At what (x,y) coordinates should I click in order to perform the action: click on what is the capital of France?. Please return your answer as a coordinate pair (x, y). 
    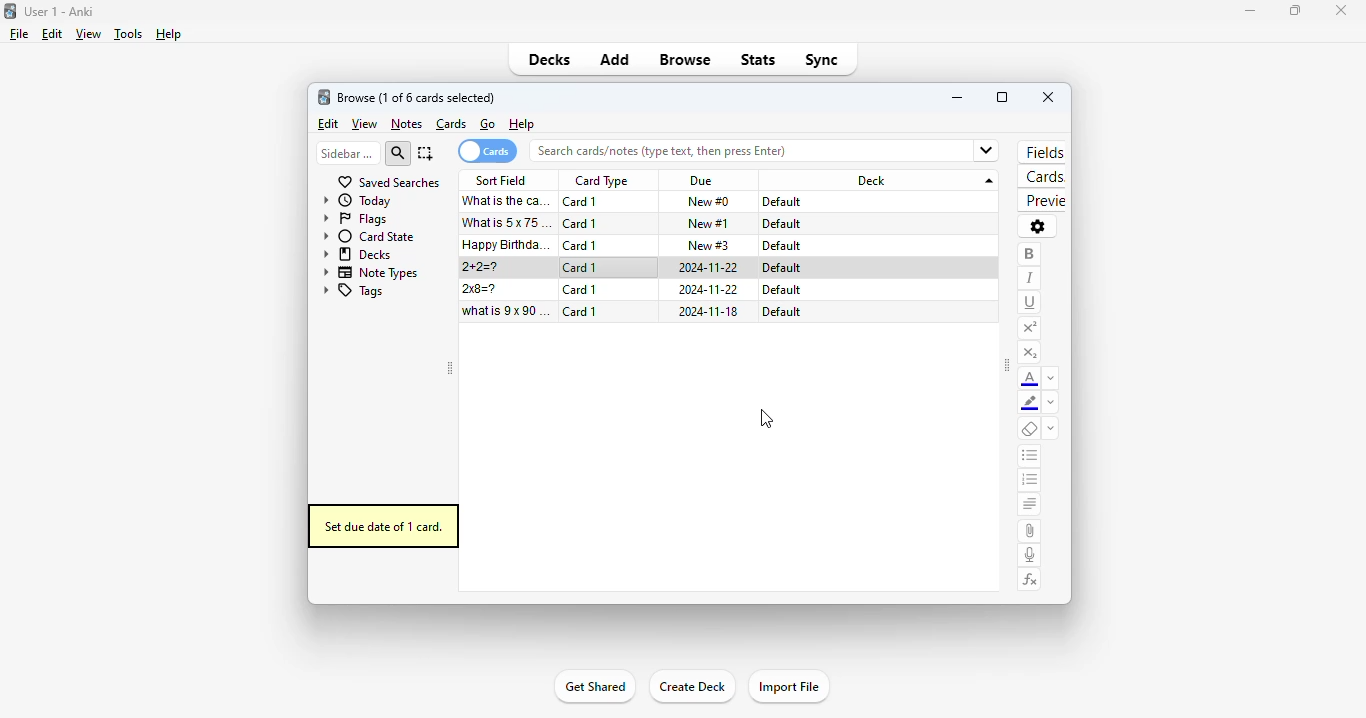
    Looking at the image, I should click on (506, 201).